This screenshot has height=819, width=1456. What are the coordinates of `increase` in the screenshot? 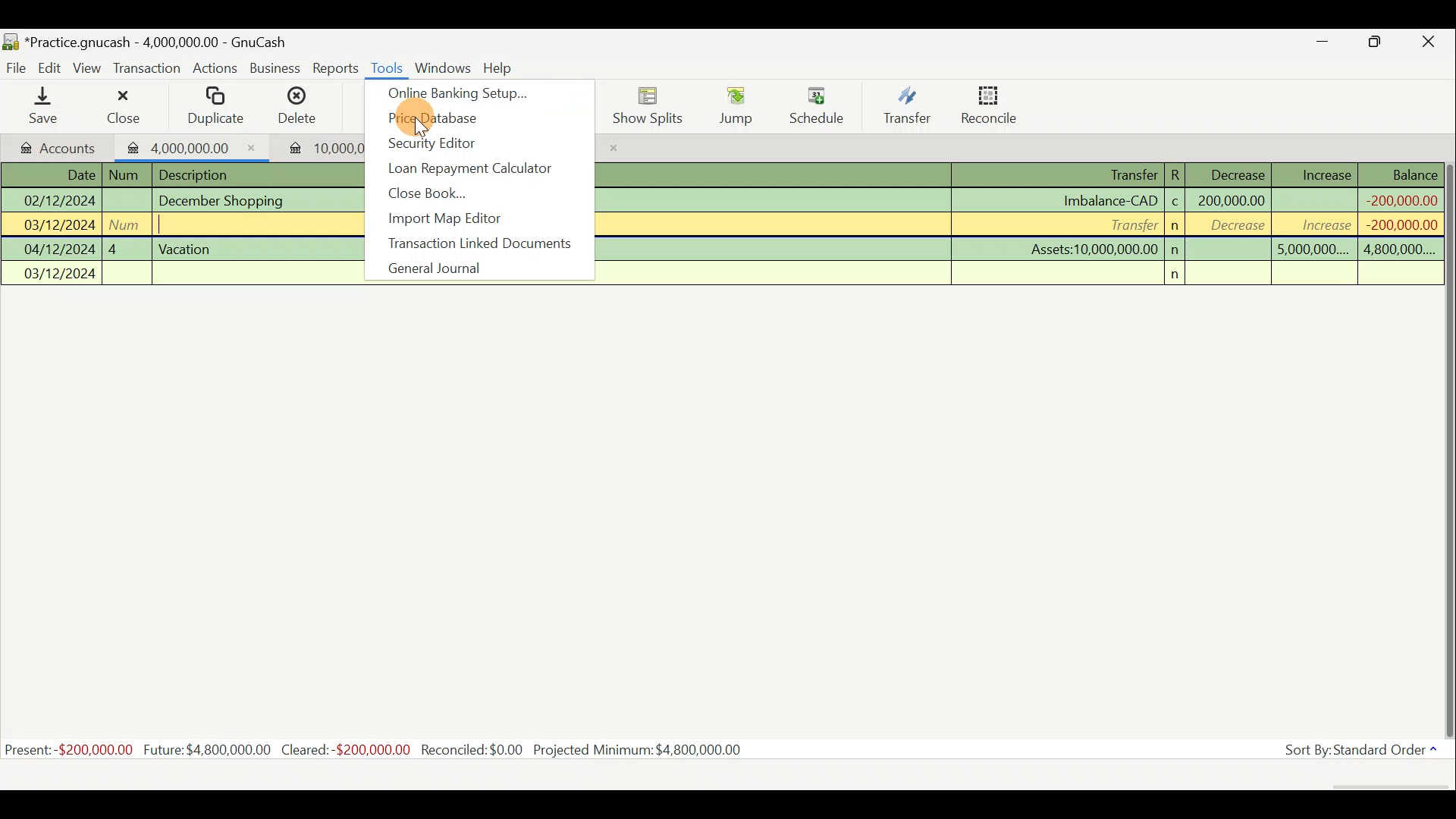 It's located at (1317, 224).